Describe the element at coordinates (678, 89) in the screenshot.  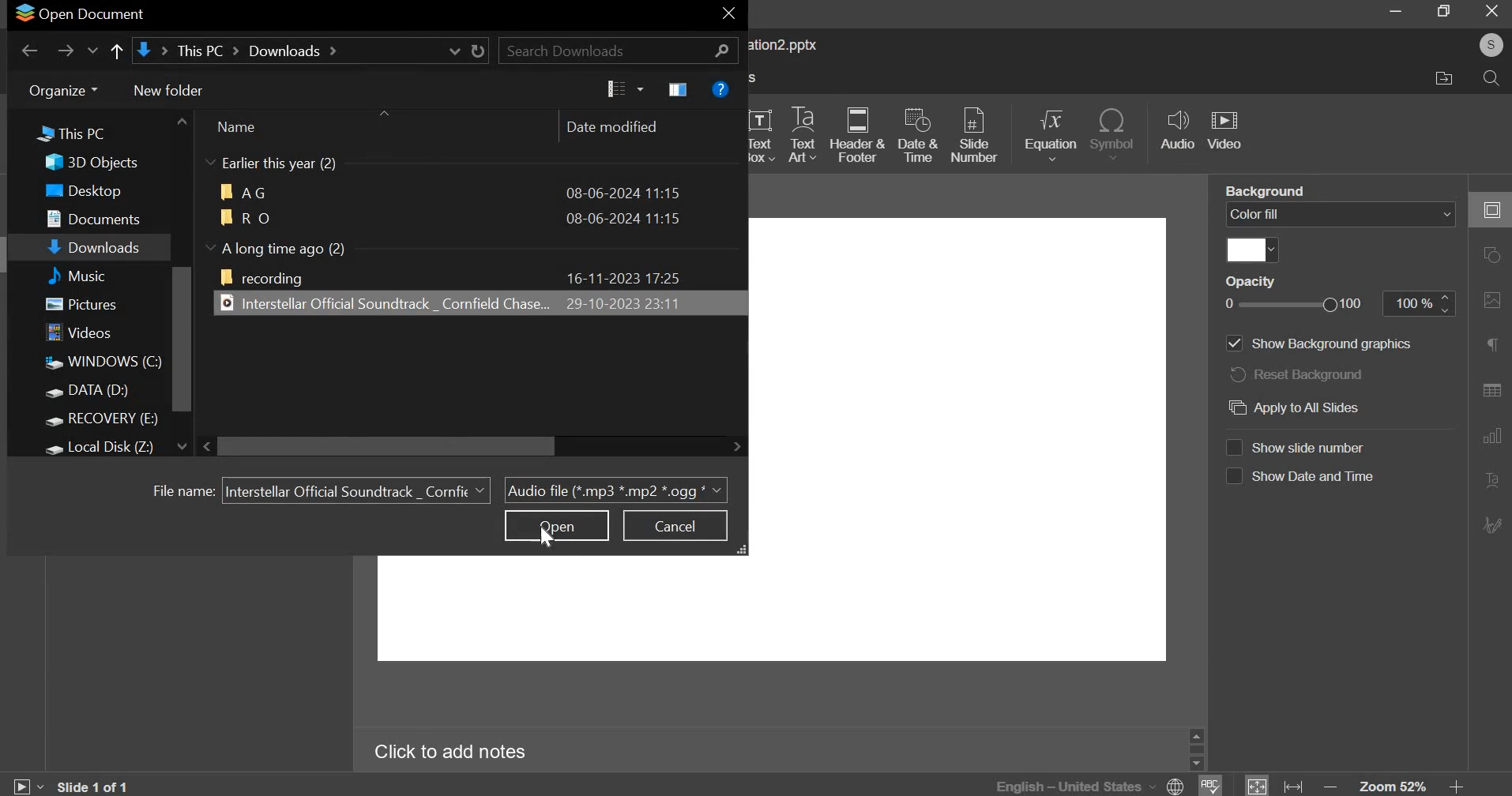
I see `show the preview pane` at that location.